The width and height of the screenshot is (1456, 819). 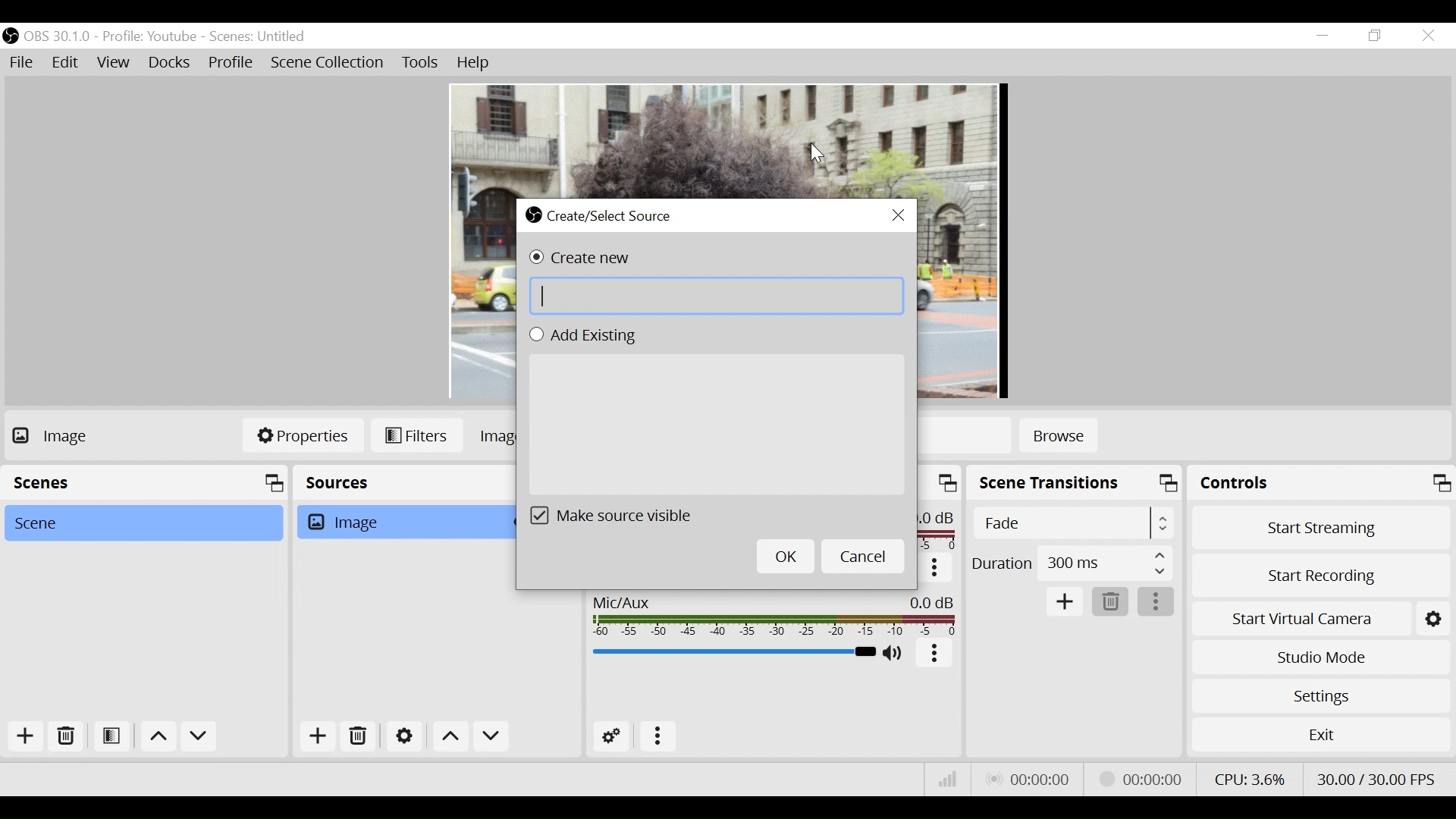 What do you see at coordinates (1428, 36) in the screenshot?
I see `Close` at bounding box center [1428, 36].